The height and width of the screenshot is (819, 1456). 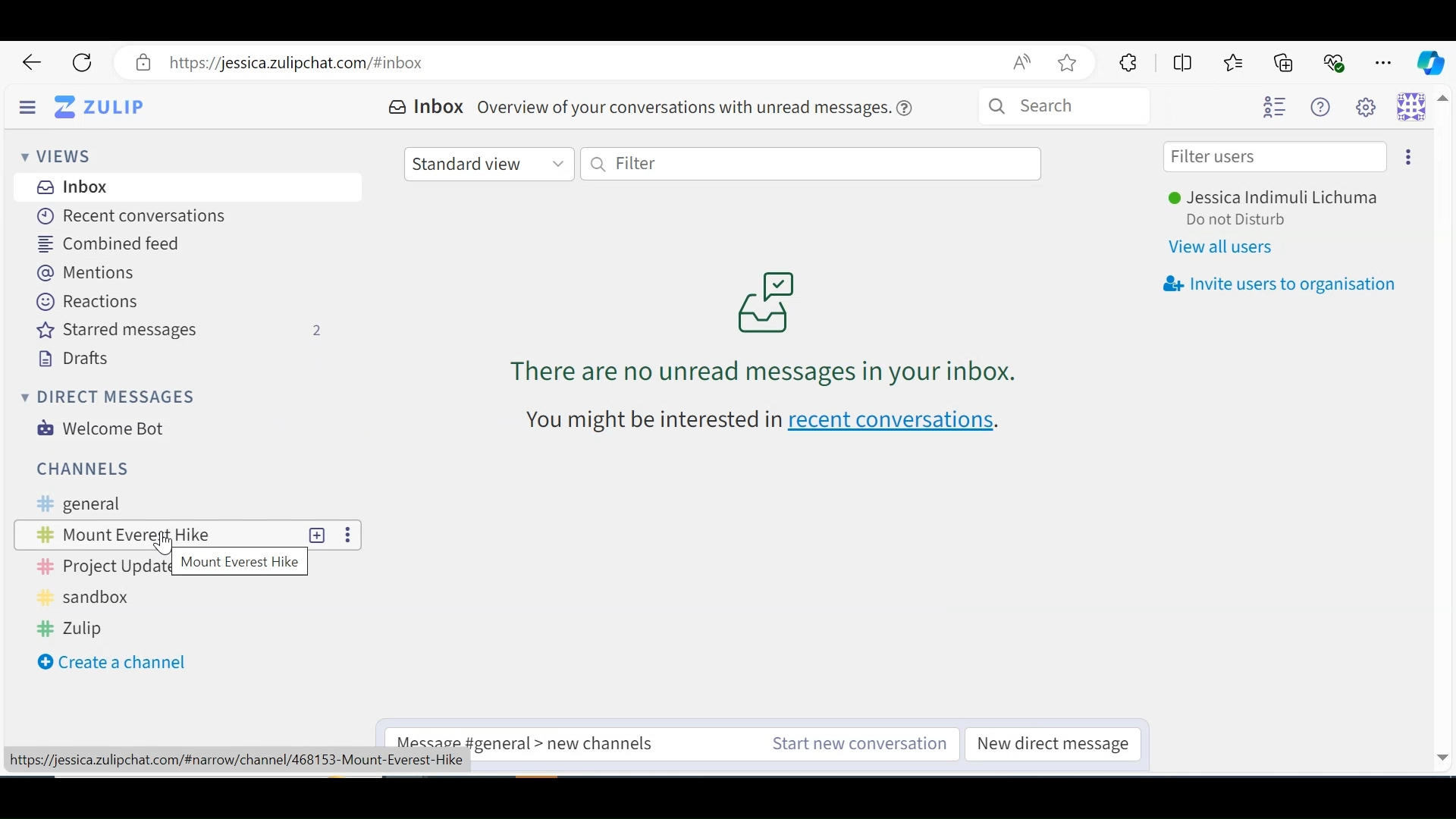 What do you see at coordinates (1442, 755) in the screenshot?
I see `Down` at bounding box center [1442, 755].